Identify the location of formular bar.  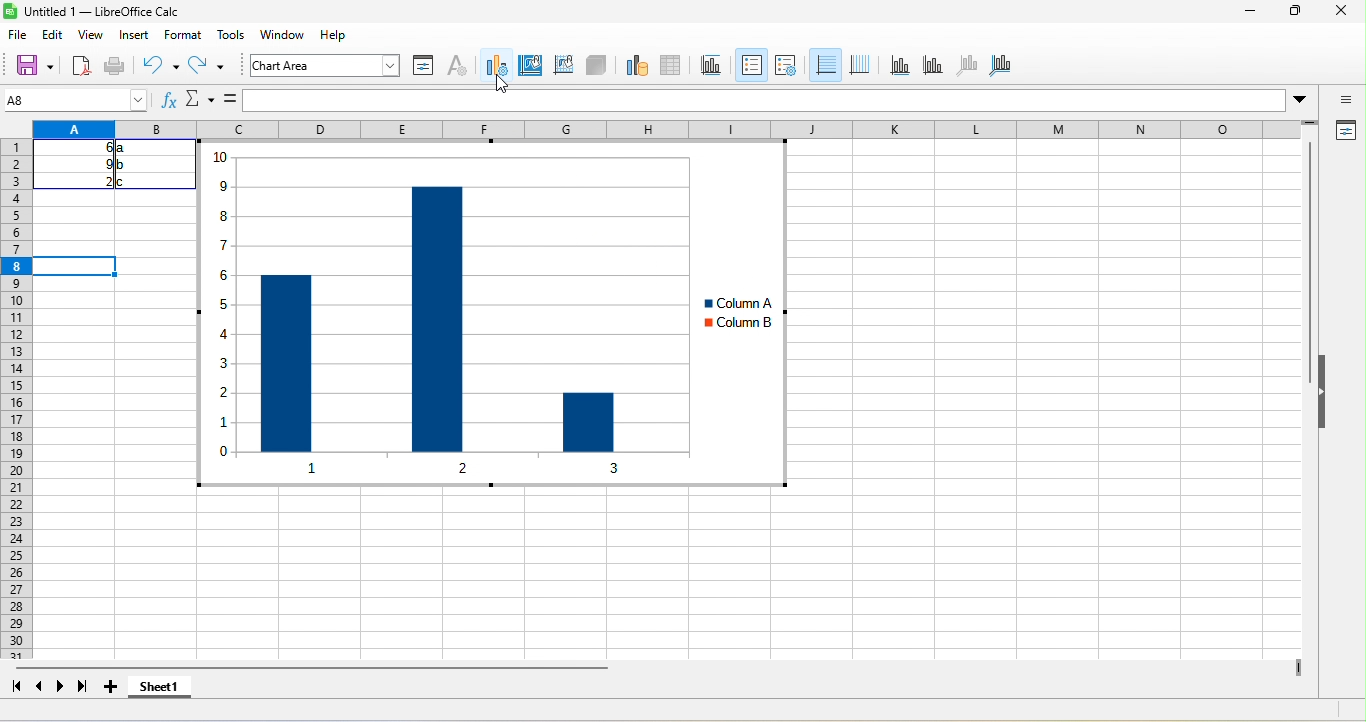
(768, 102).